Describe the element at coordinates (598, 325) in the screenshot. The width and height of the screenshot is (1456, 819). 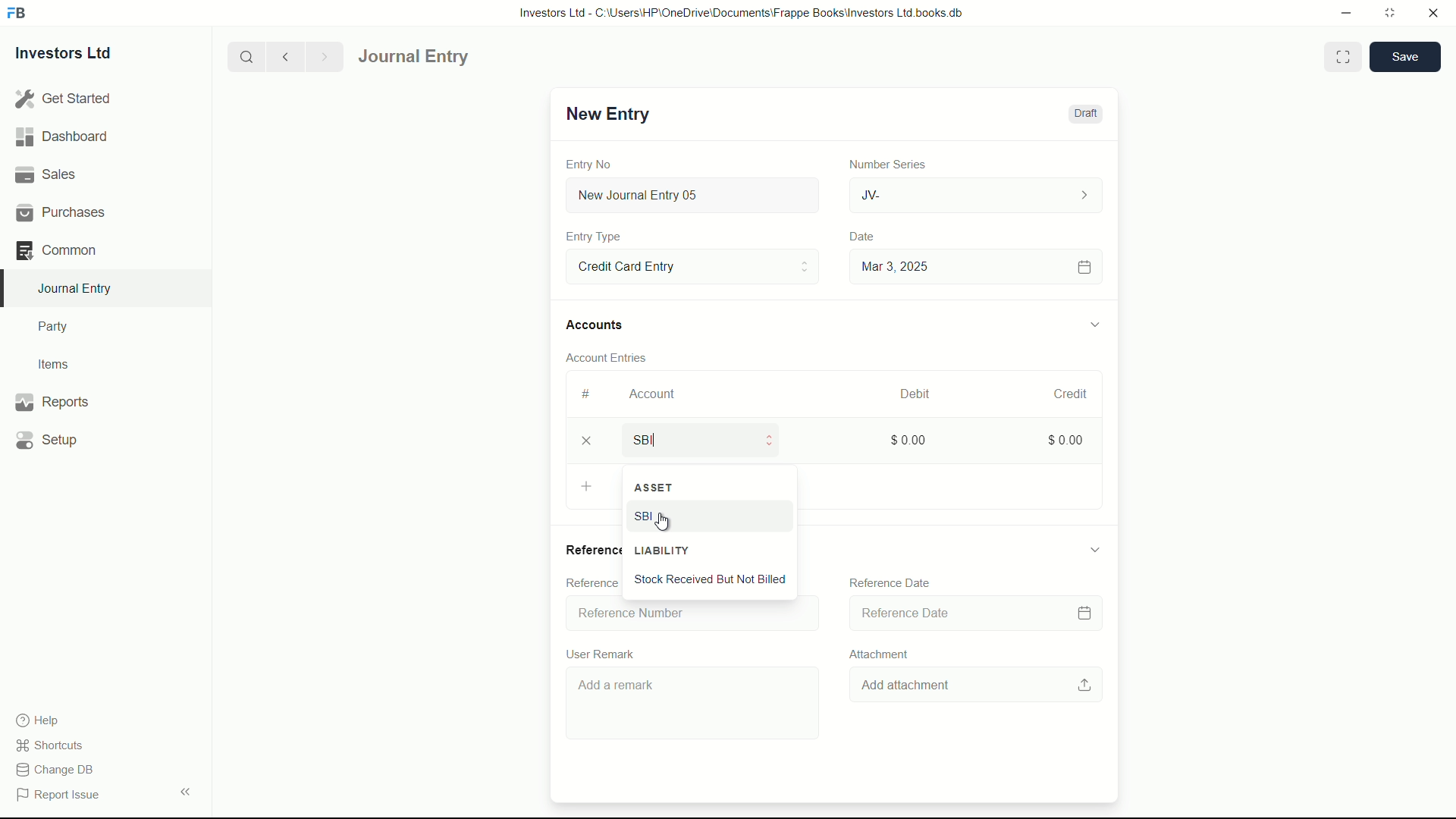
I see `Accounts` at that location.